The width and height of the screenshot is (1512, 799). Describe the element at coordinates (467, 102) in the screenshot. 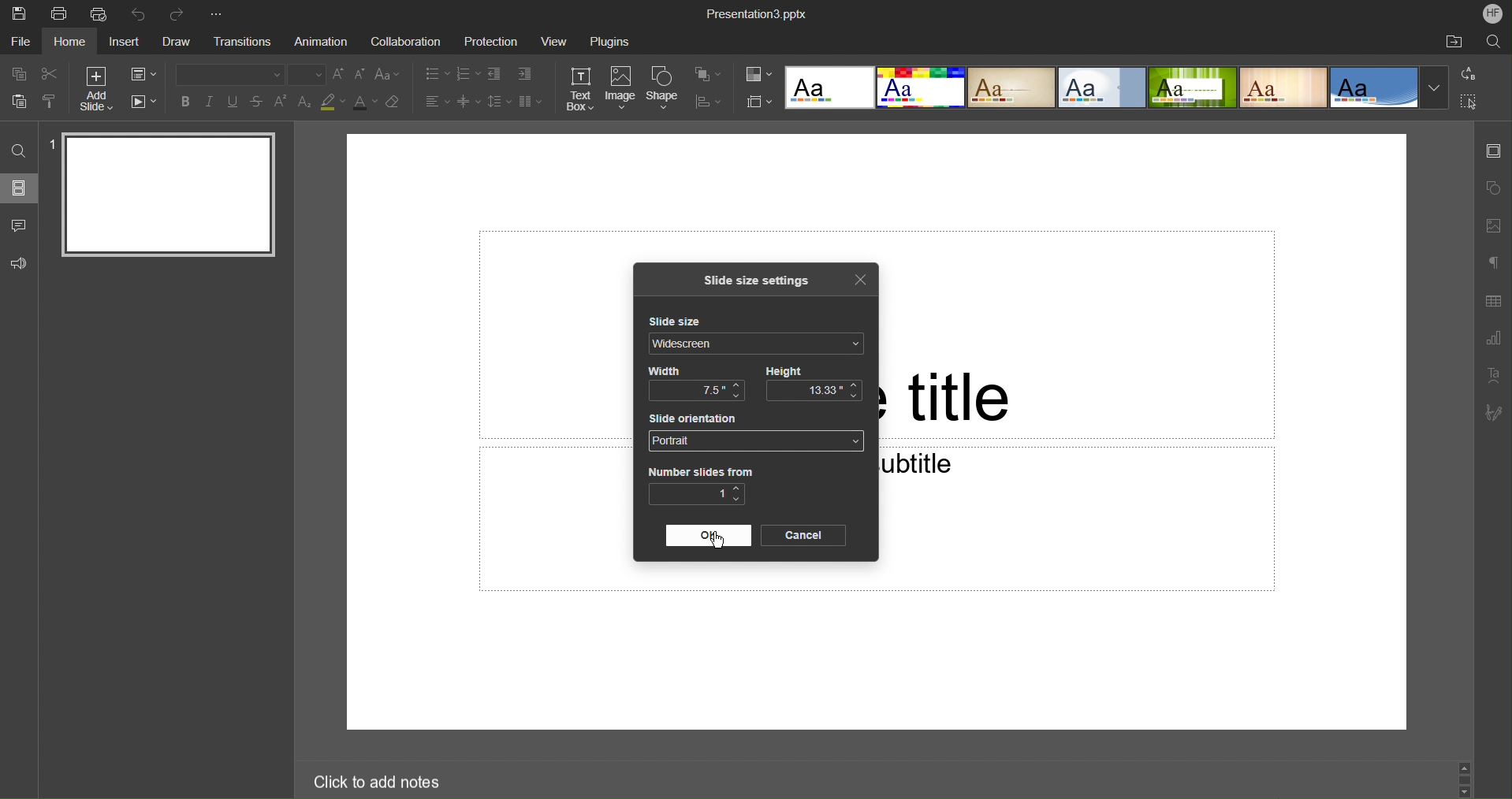

I see `Decrease Spacing` at that location.